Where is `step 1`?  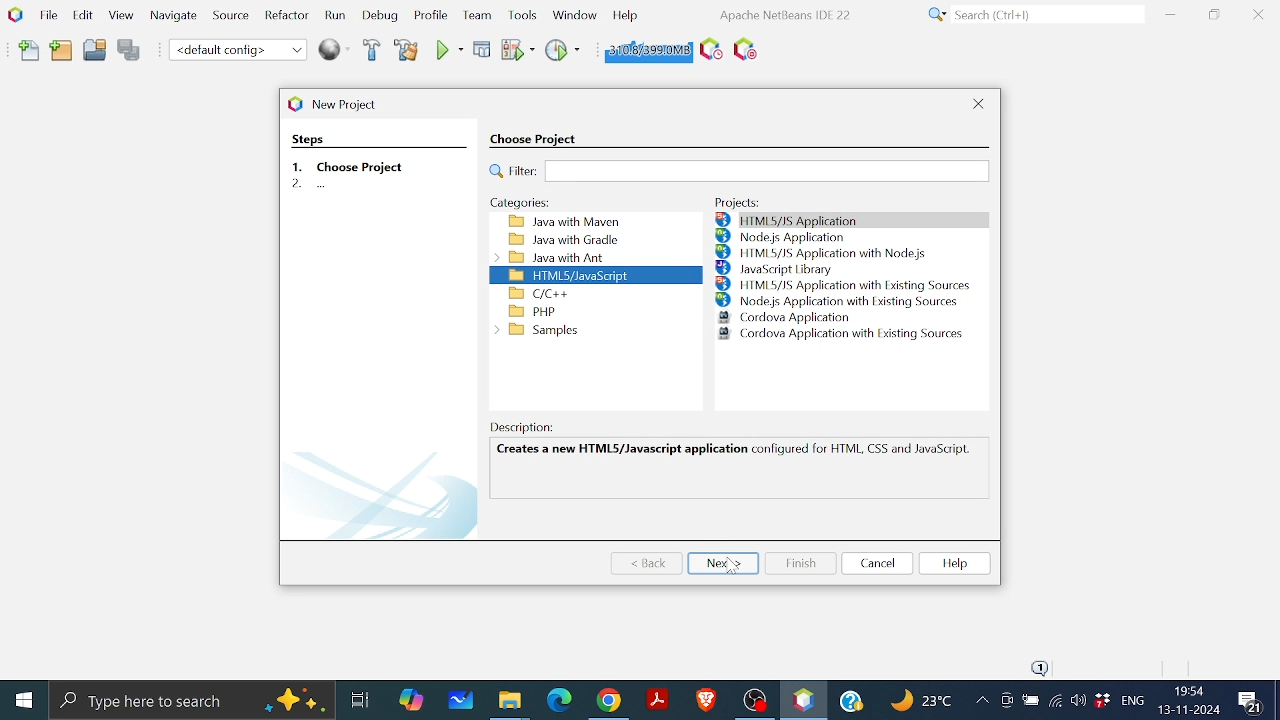 step 1 is located at coordinates (346, 167).